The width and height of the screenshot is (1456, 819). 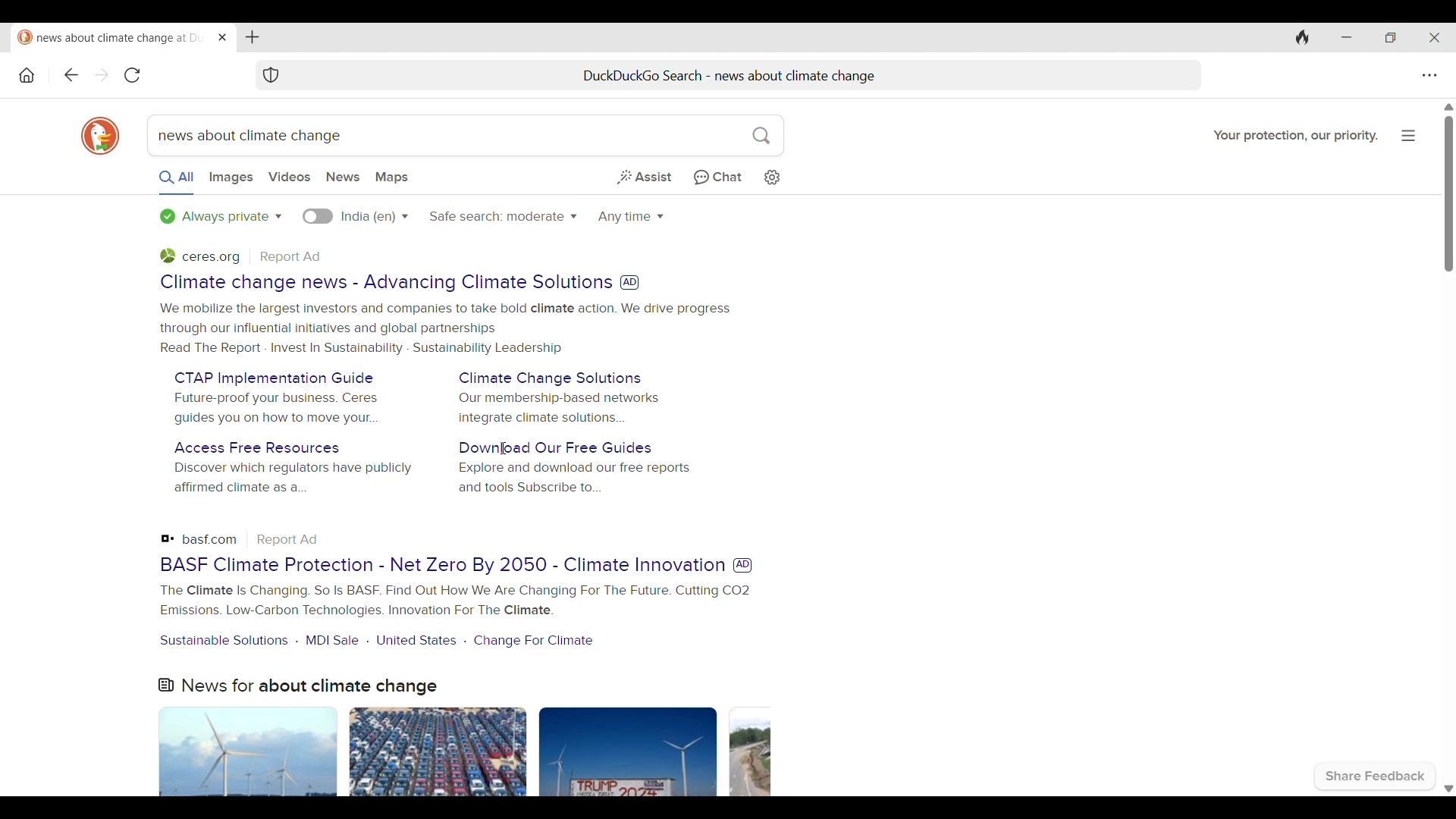 What do you see at coordinates (454, 601) in the screenshot?
I see `The climate is changing so is Basf find out how we are changing for the future cutting CO2 emissions low carbon technologies innovation for the climate` at bounding box center [454, 601].